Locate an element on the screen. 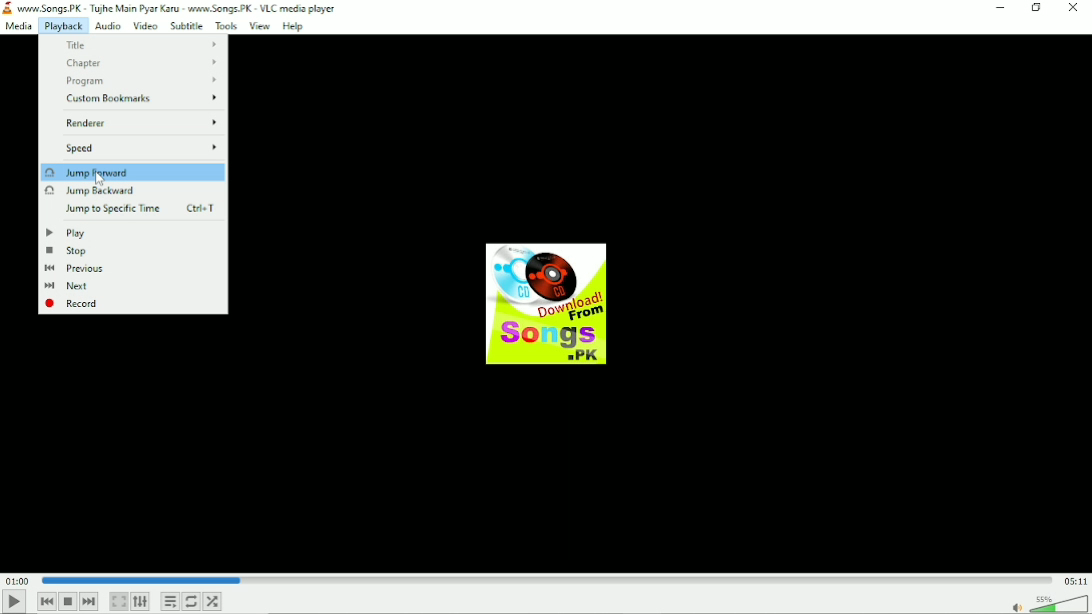 The image size is (1092, 614). Program is located at coordinates (145, 82).